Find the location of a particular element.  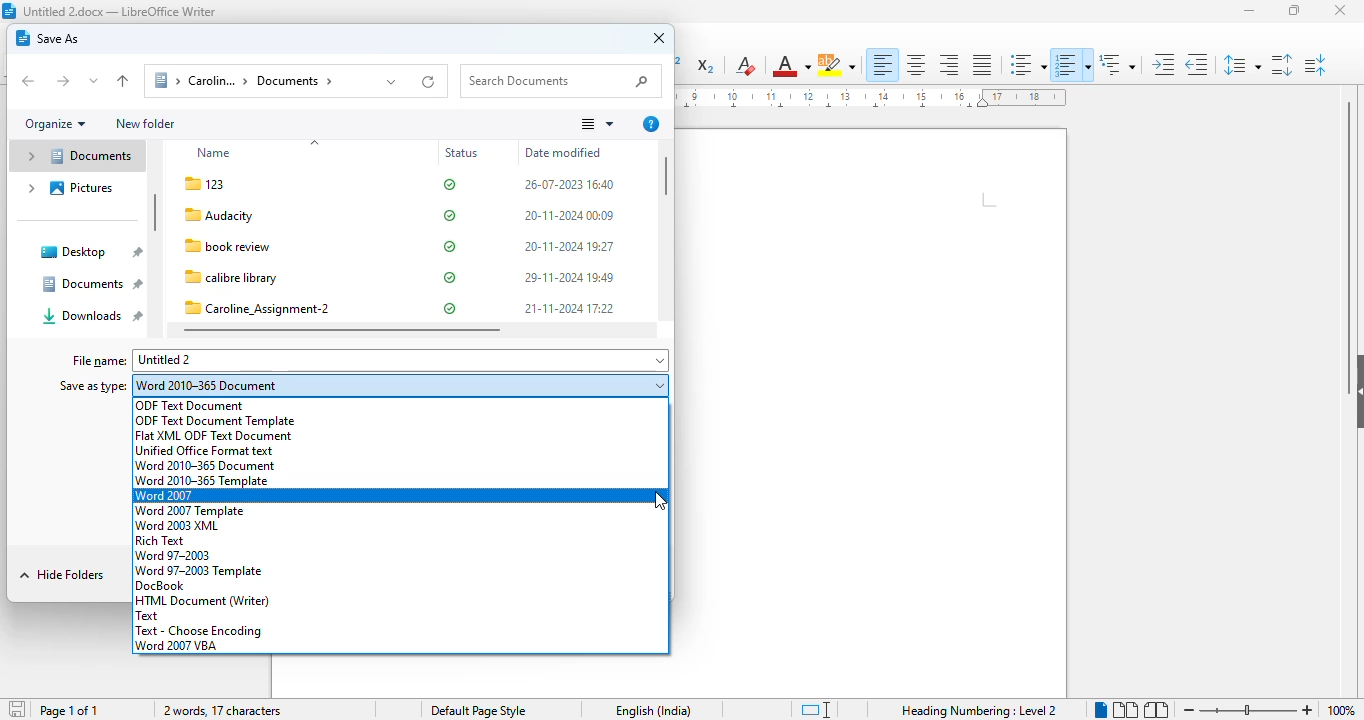

word 97-2003 is located at coordinates (174, 556).